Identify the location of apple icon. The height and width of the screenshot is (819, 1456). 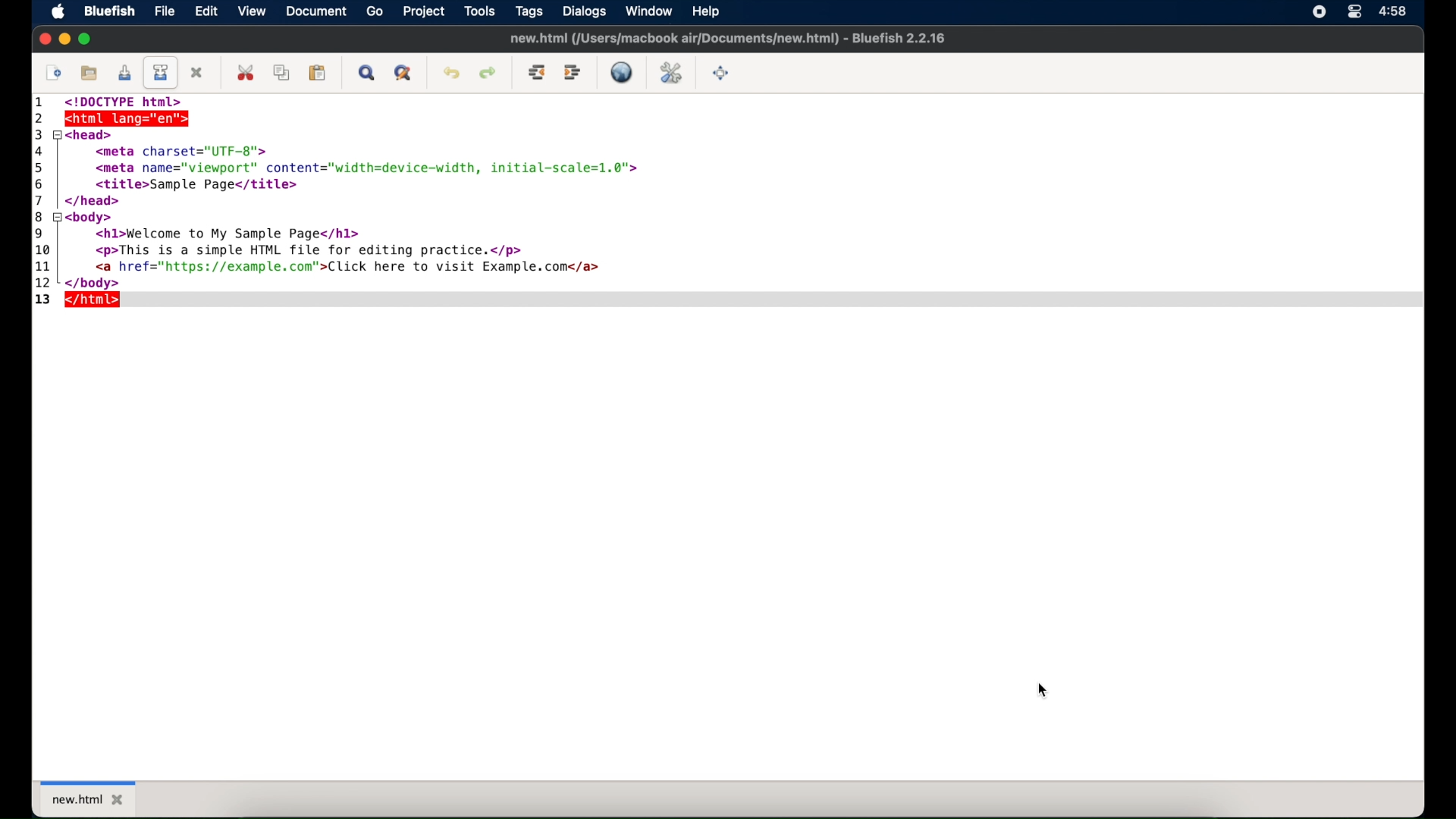
(58, 12).